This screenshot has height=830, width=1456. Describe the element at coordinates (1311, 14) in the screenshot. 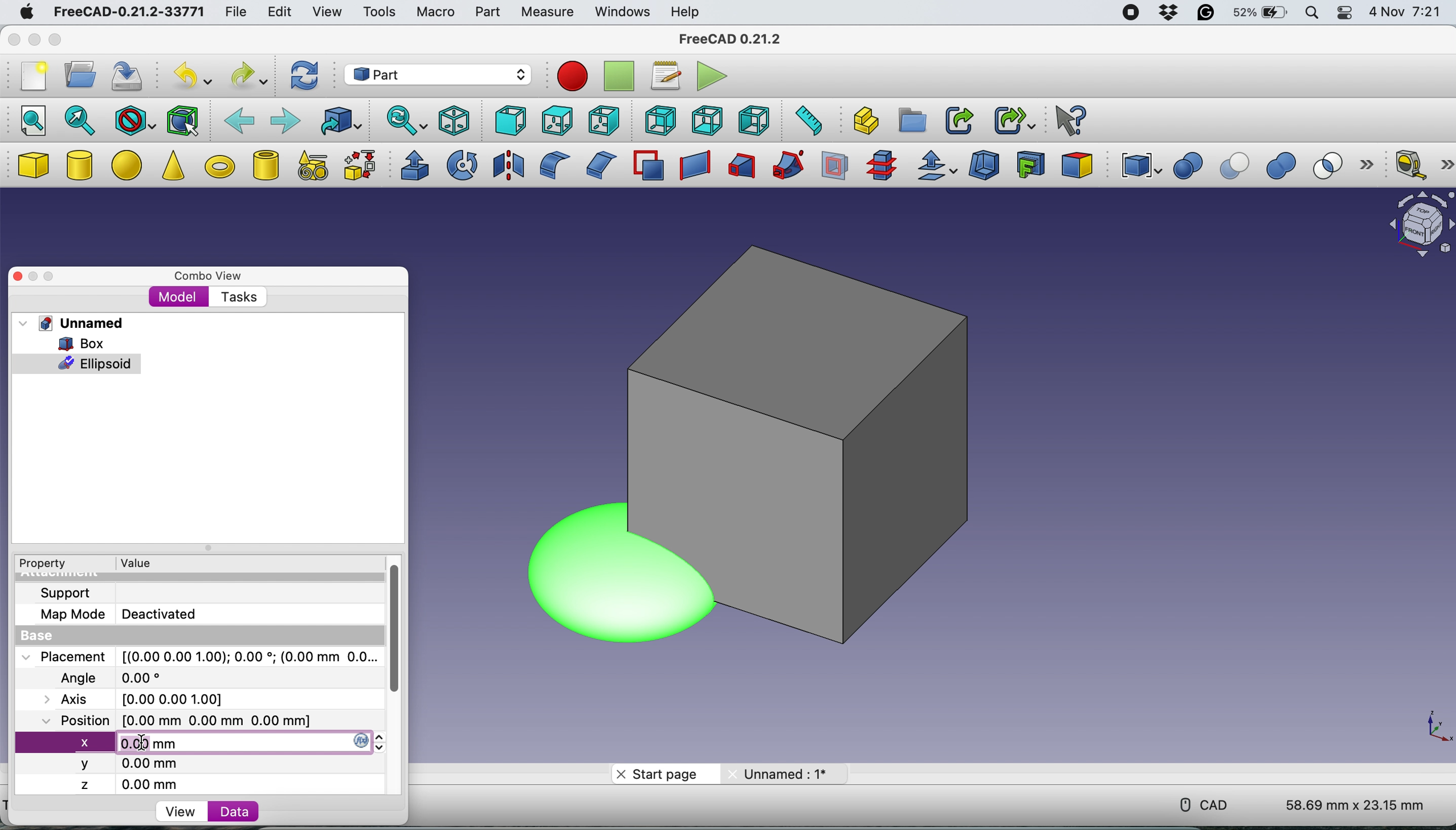

I see `spotlight search` at that location.